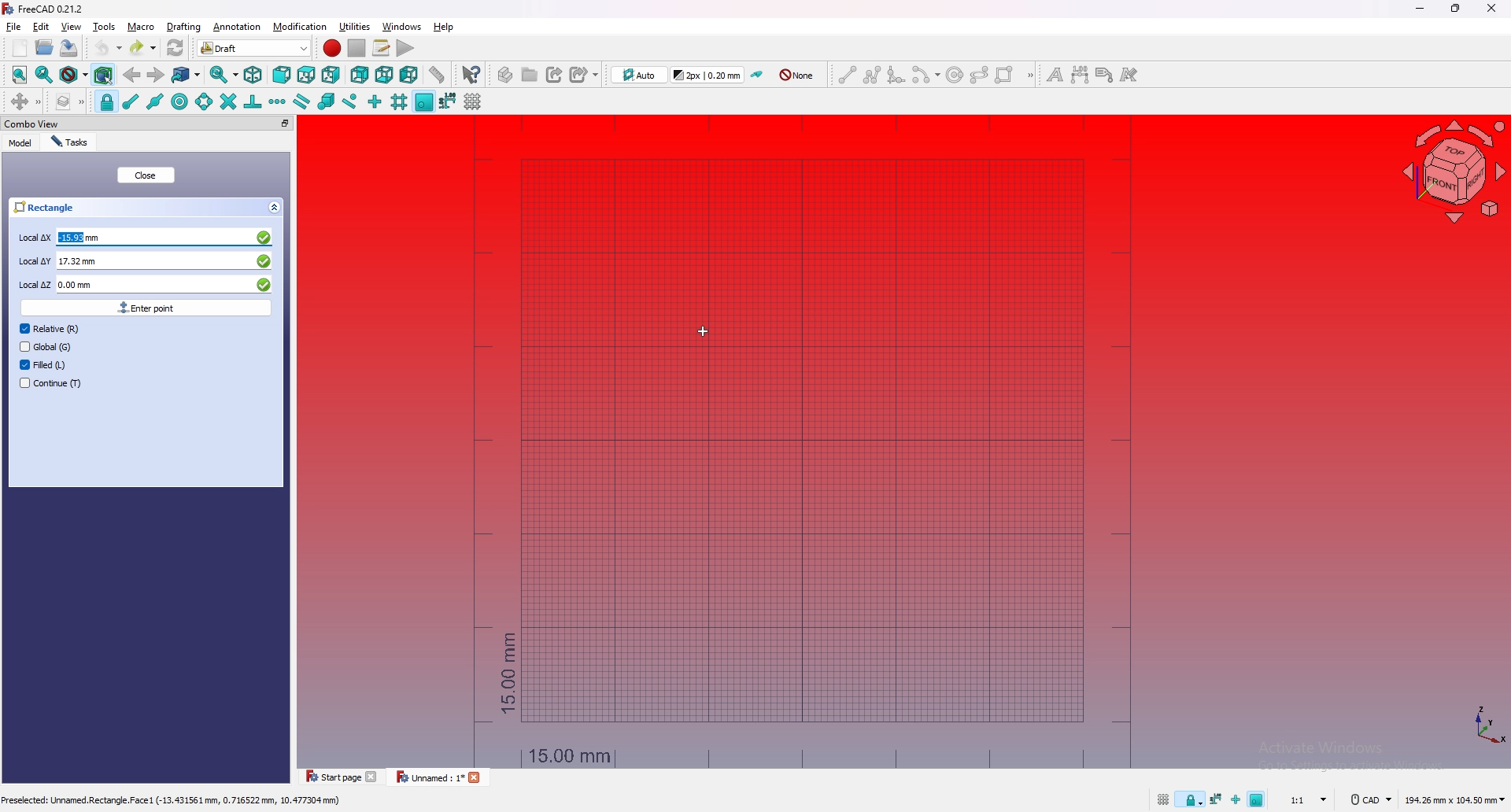 This screenshot has width=1511, height=812. I want to click on fillet, so click(896, 74).